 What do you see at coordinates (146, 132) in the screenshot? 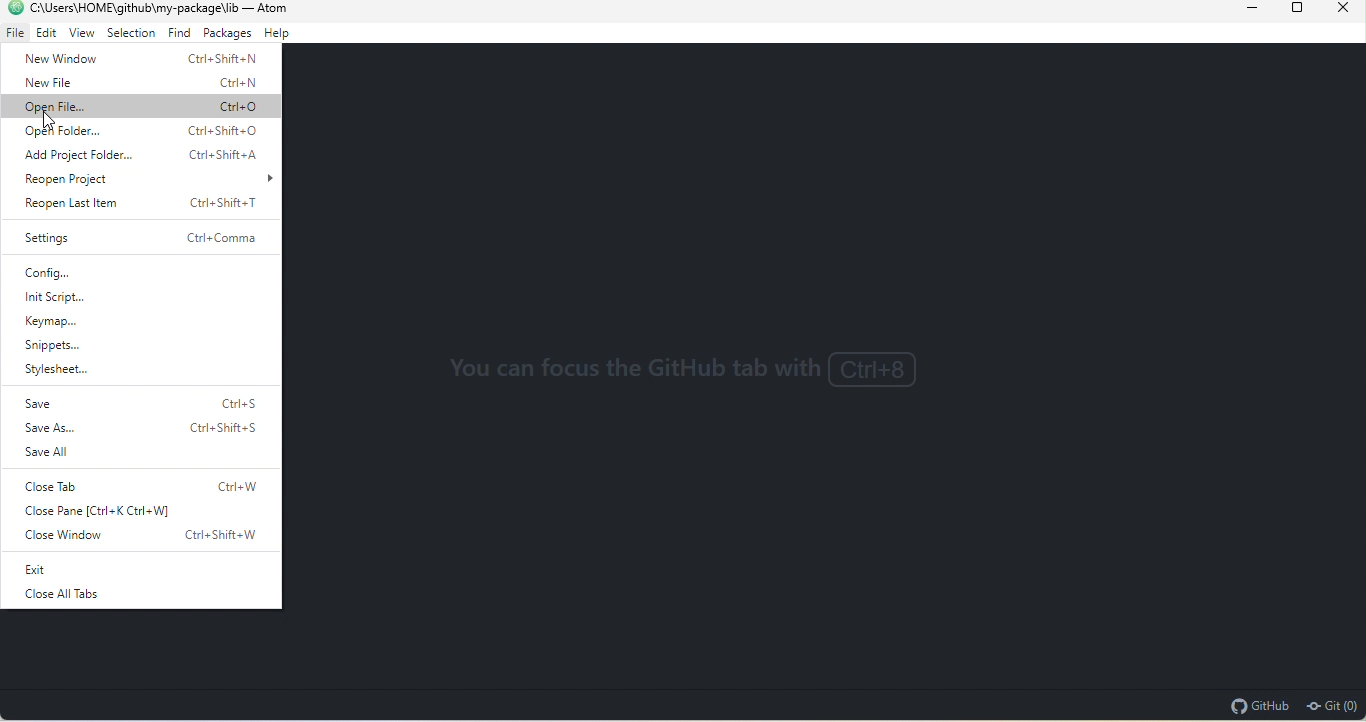
I see `open folder` at bounding box center [146, 132].